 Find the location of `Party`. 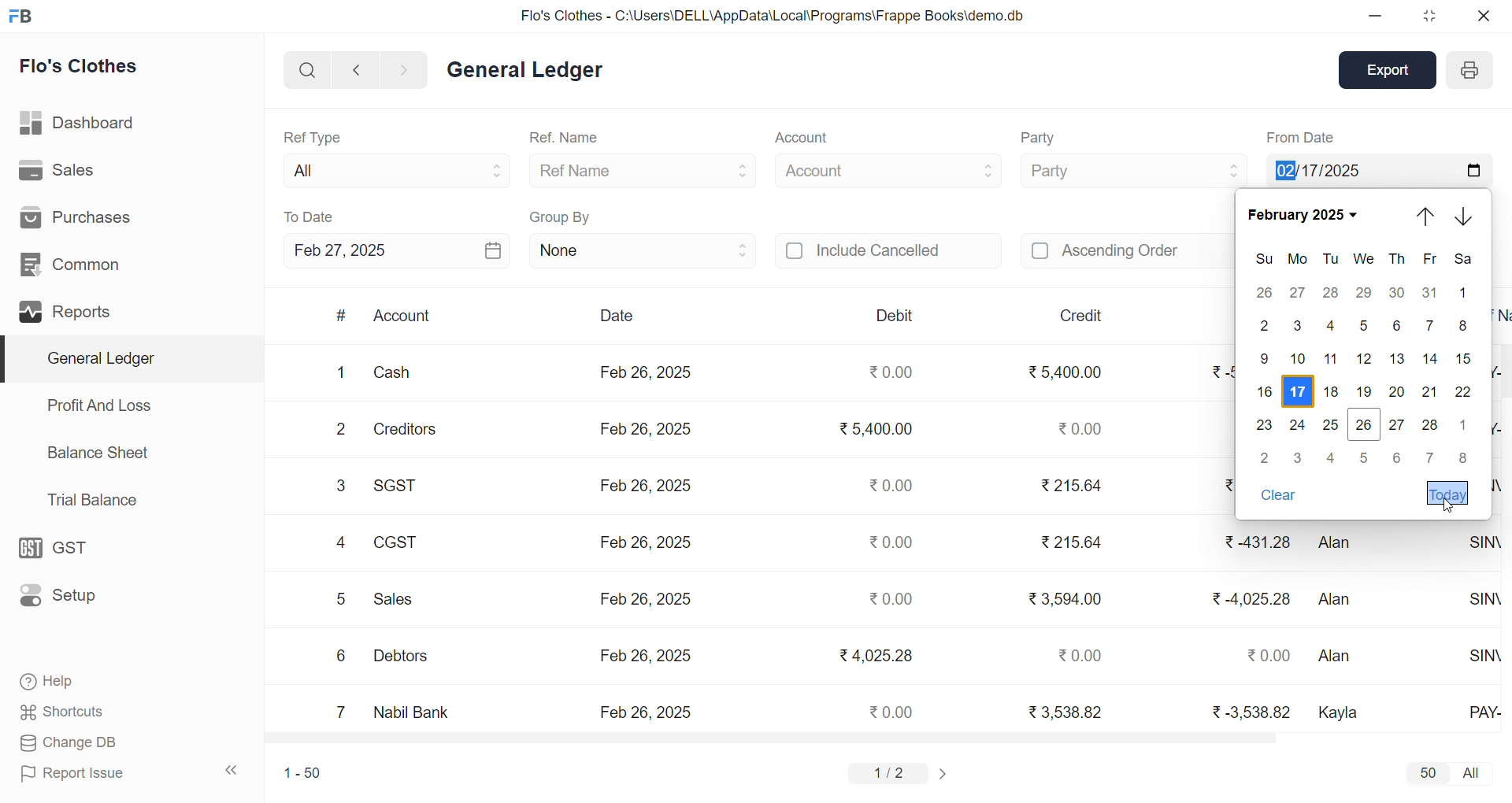

Party is located at coordinates (1041, 139).